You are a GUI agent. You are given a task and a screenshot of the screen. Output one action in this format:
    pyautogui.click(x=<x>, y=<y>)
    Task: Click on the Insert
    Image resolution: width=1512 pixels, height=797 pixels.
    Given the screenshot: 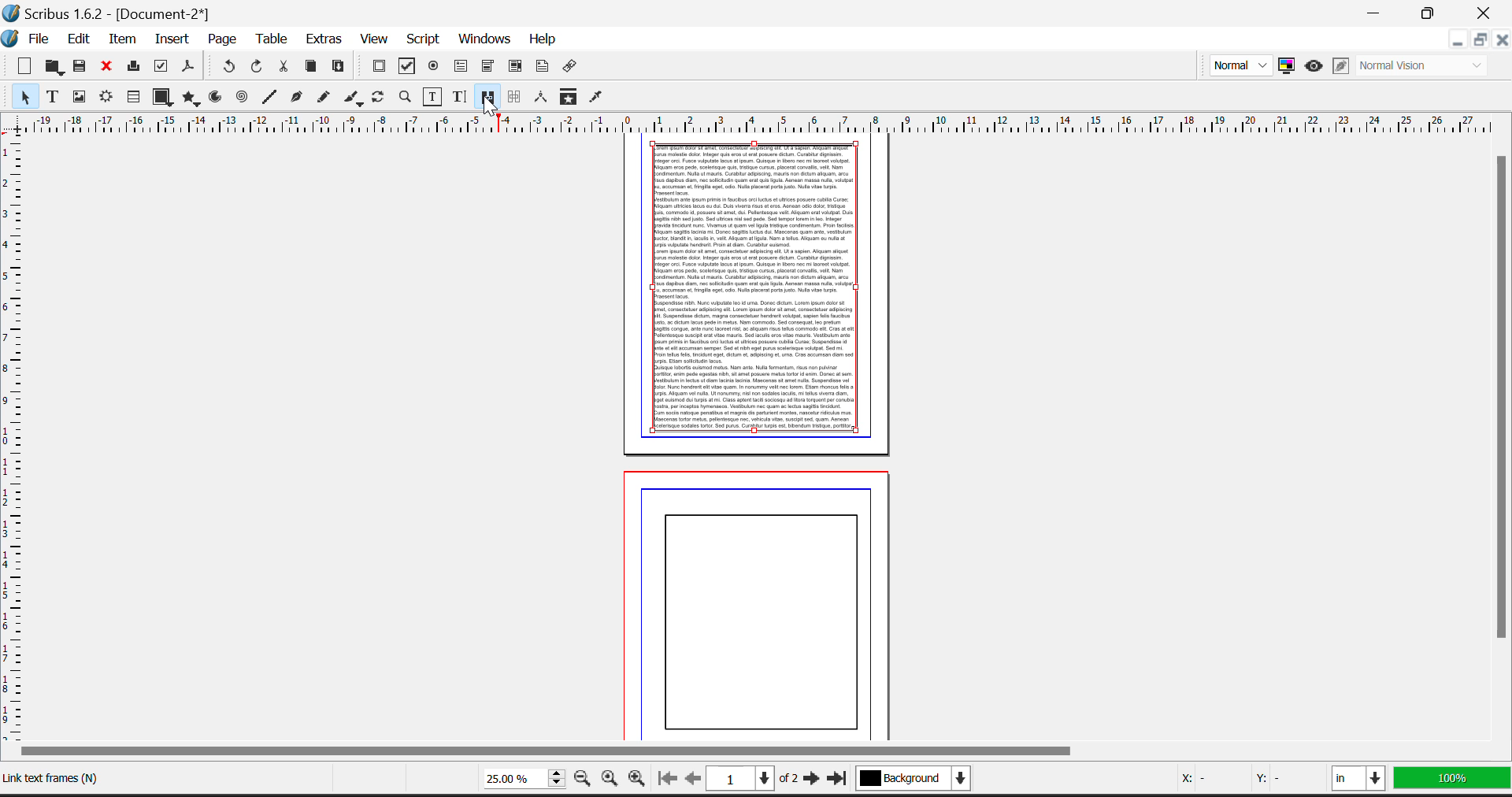 What is the action you would take?
    pyautogui.click(x=171, y=37)
    